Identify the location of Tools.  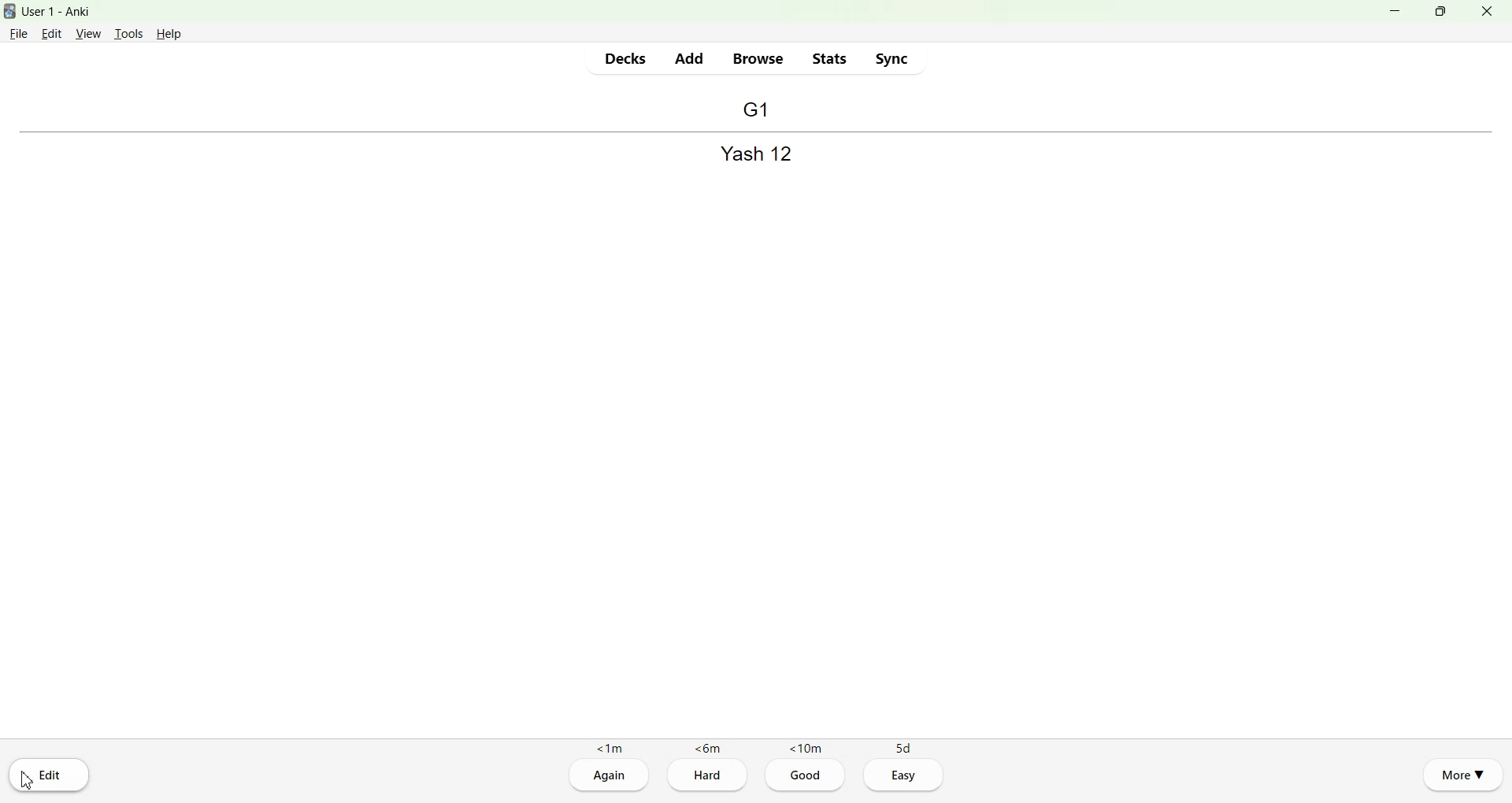
(128, 34).